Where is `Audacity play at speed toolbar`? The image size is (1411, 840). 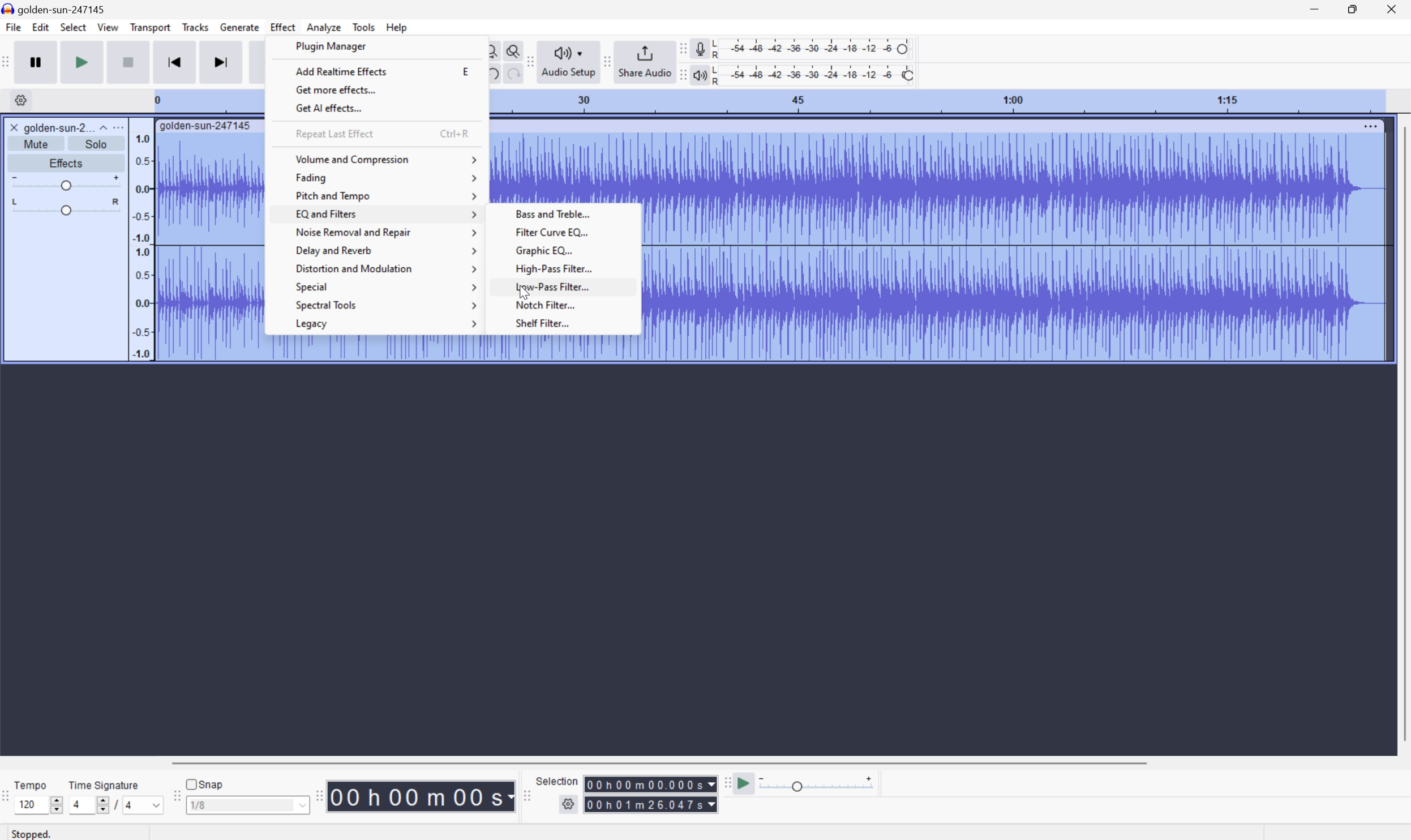 Audacity play at speed toolbar is located at coordinates (726, 784).